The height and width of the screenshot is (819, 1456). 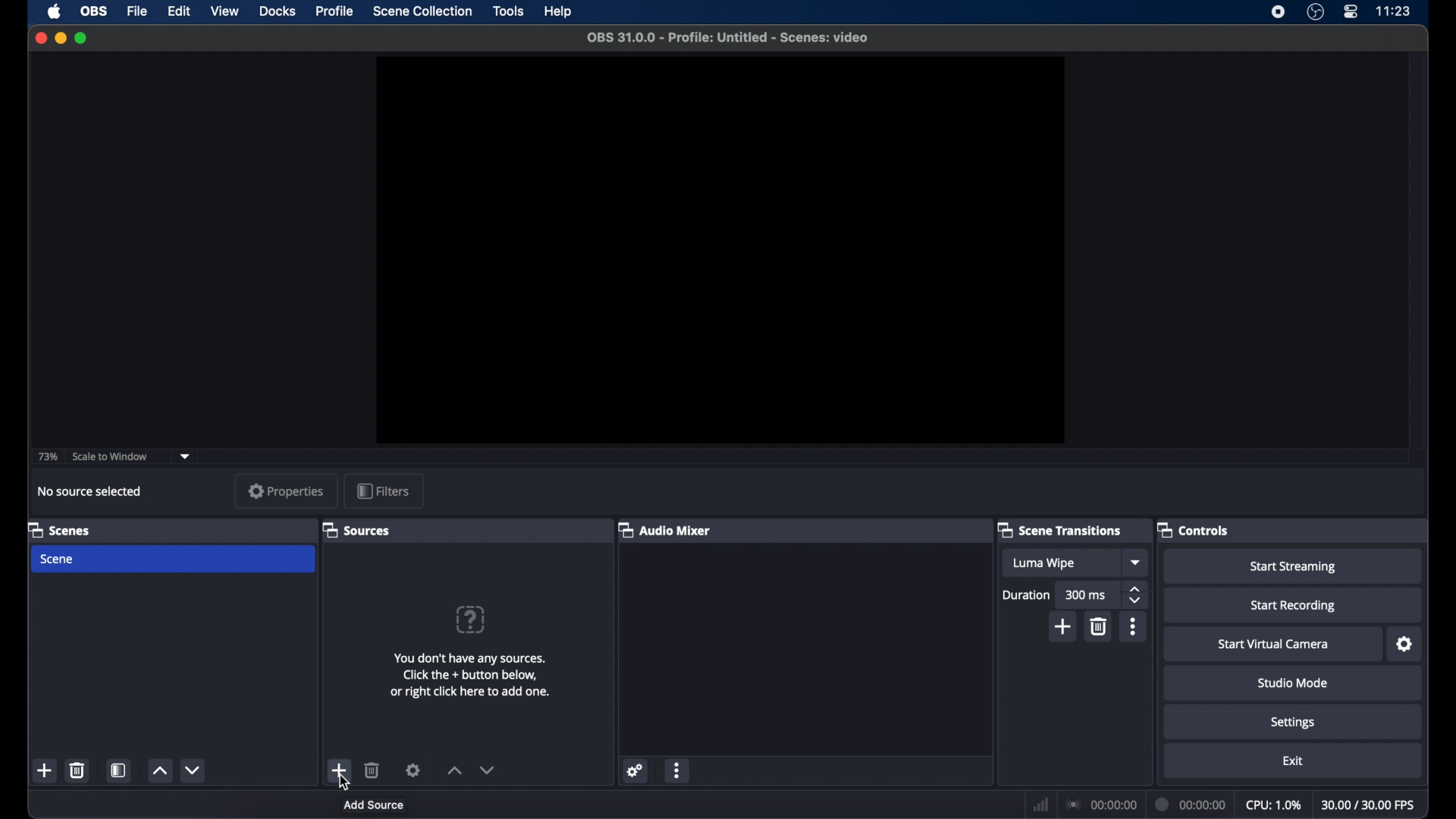 What do you see at coordinates (1274, 805) in the screenshot?
I see `cpu` at bounding box center [1274, 805].